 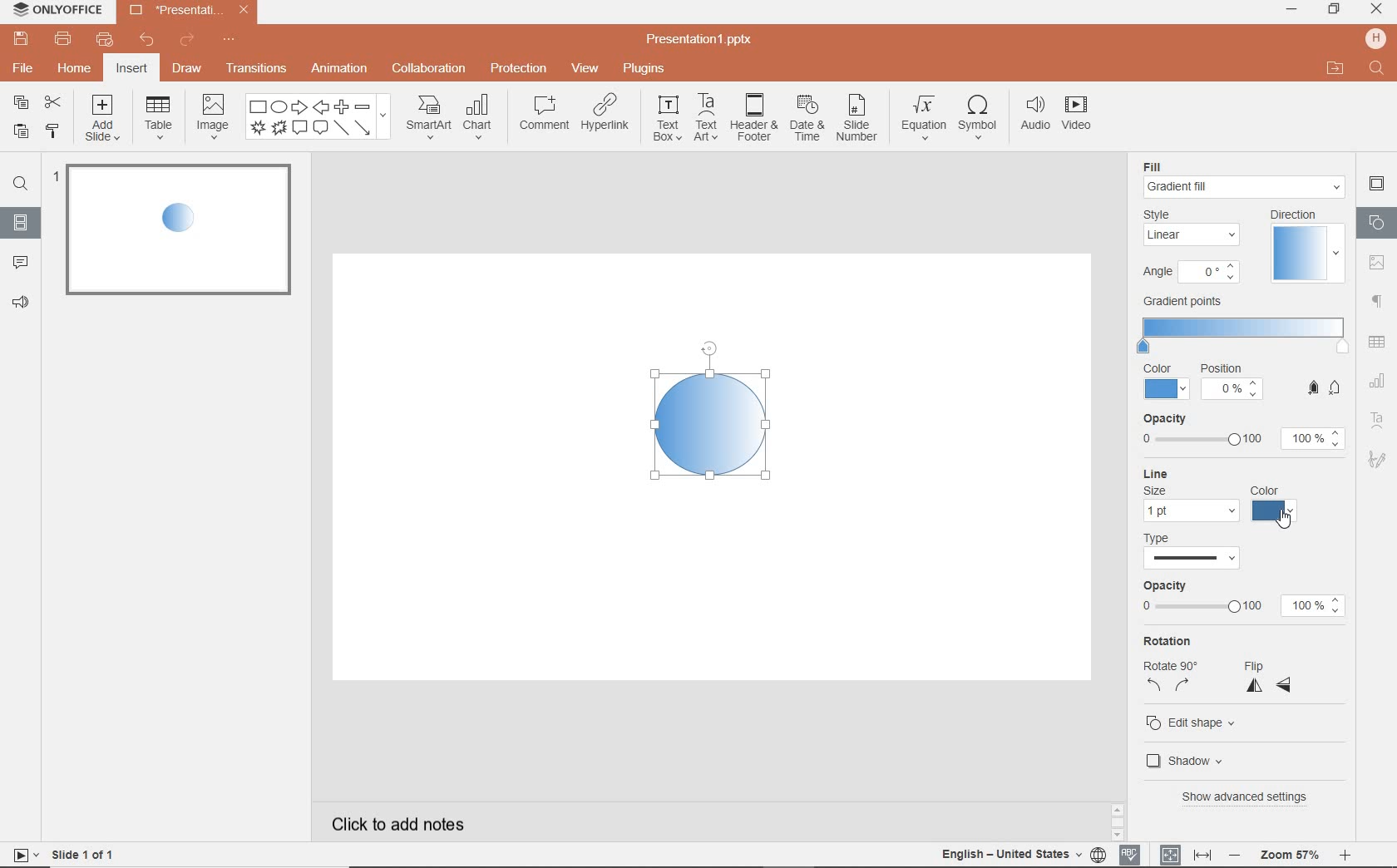 I want to click on file, so click(x=22, y=67).